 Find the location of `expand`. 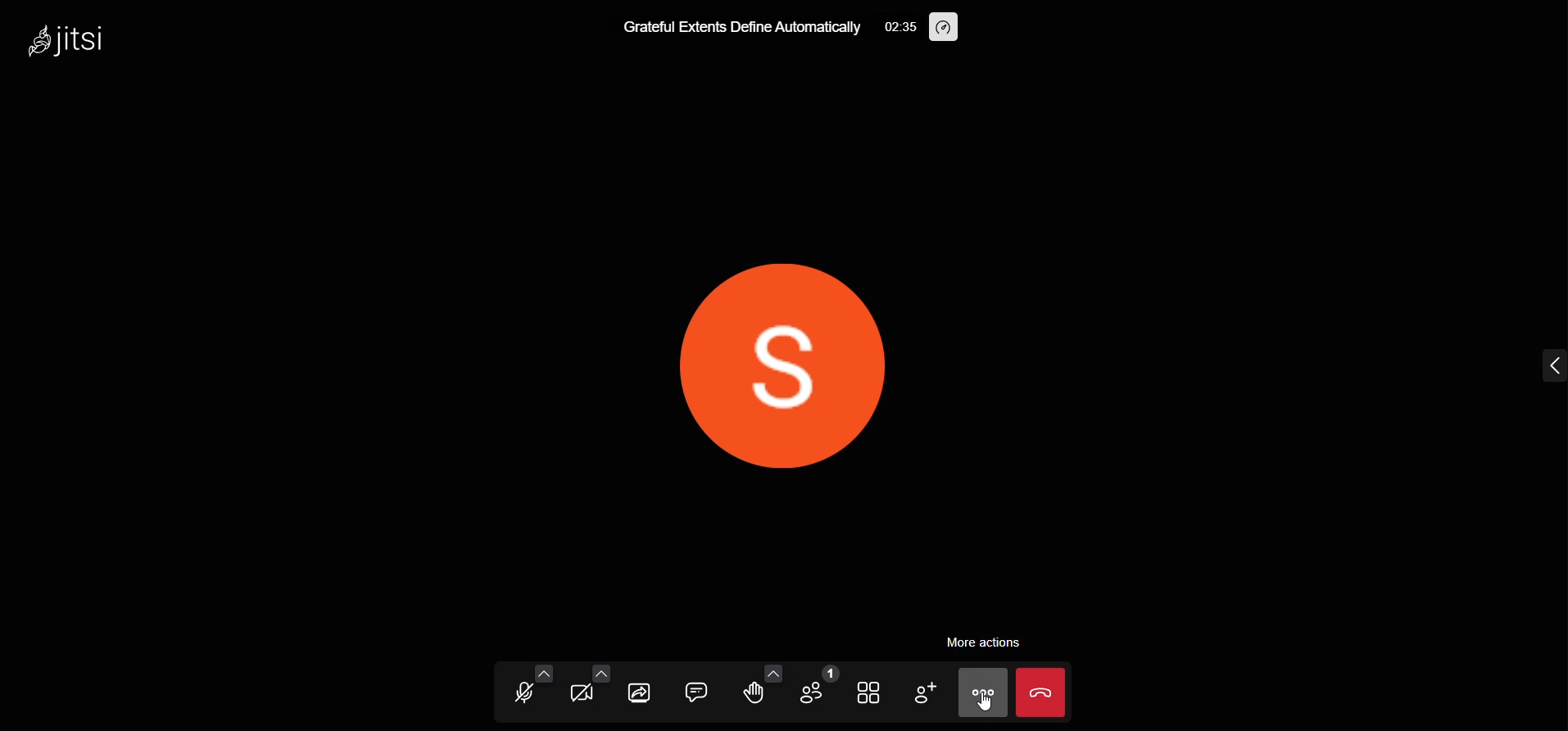

expand is located at coordinates (1547, 363).